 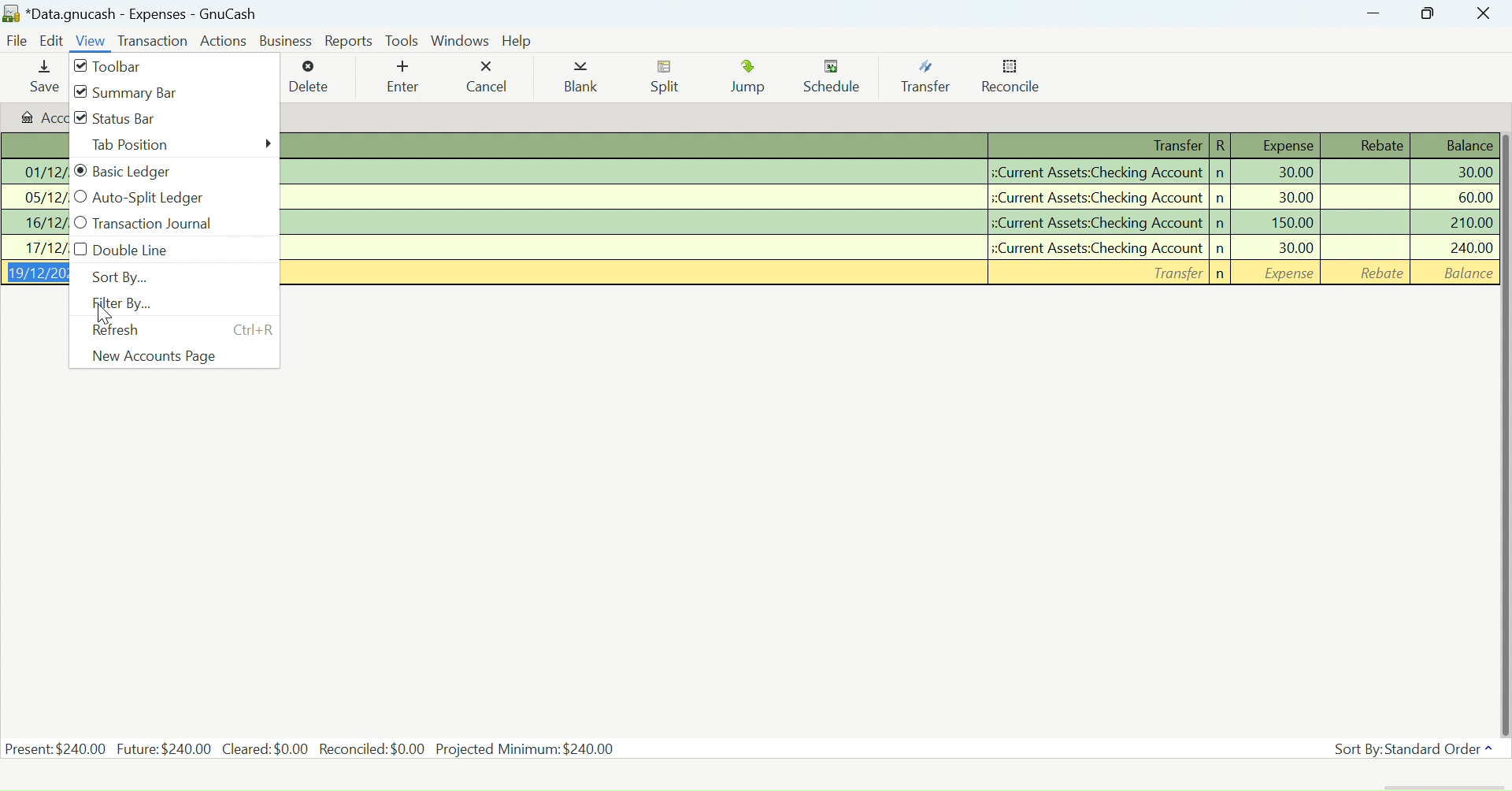 I want to click on Reconcile, so click(x=1012, y=80).